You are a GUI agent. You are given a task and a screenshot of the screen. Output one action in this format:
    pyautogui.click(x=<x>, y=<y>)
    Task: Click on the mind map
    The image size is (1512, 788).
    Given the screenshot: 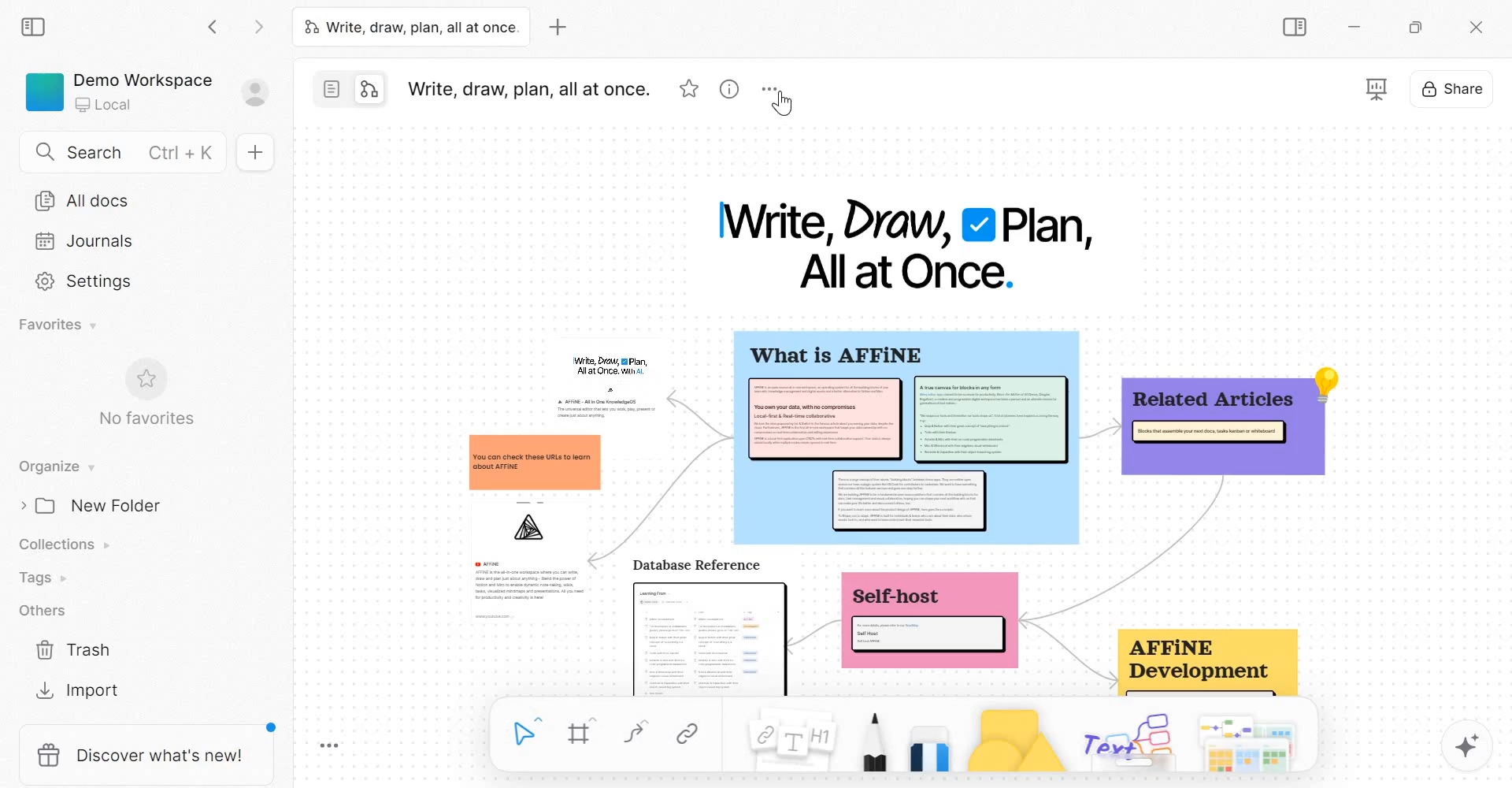 What is the action you would take?
    pyautogui.click(x=899, y=513)
    